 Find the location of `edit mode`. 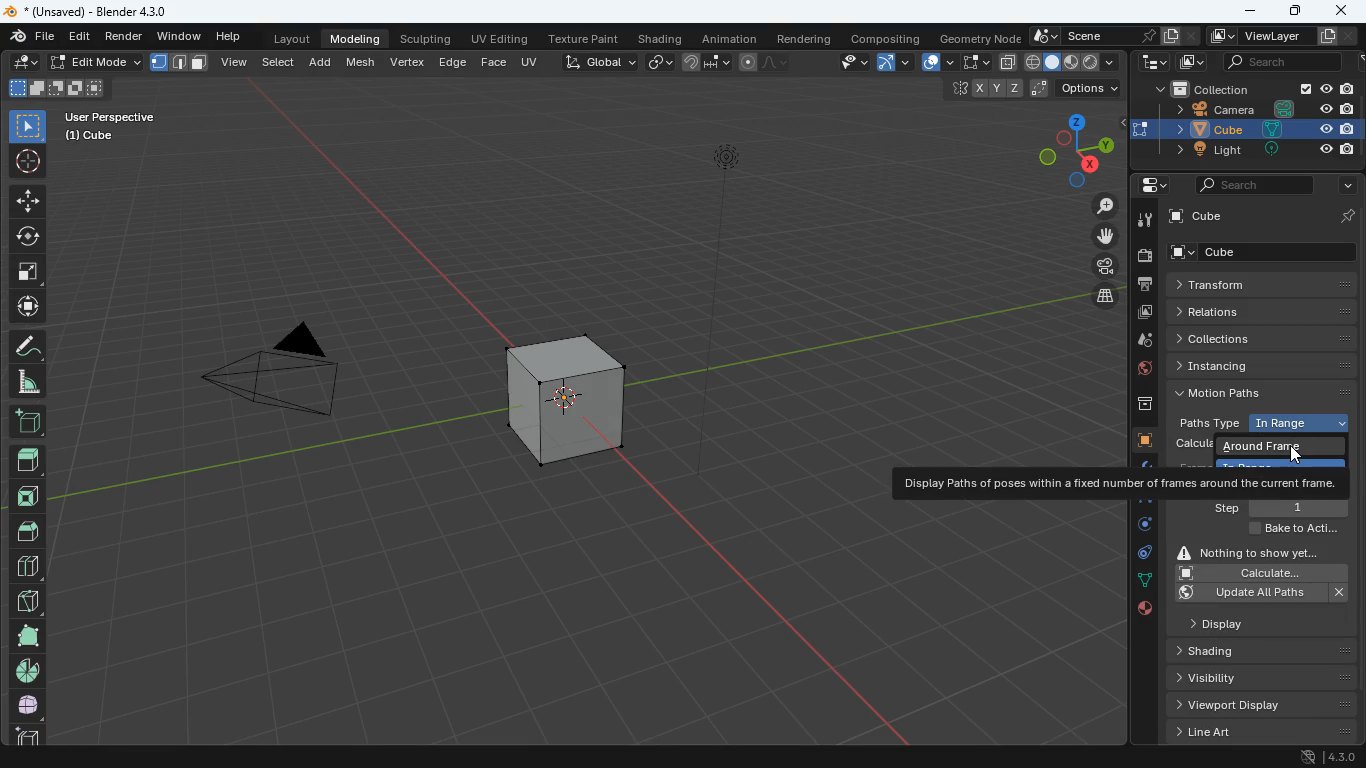

edit mode is located at coordinates (96, 62).